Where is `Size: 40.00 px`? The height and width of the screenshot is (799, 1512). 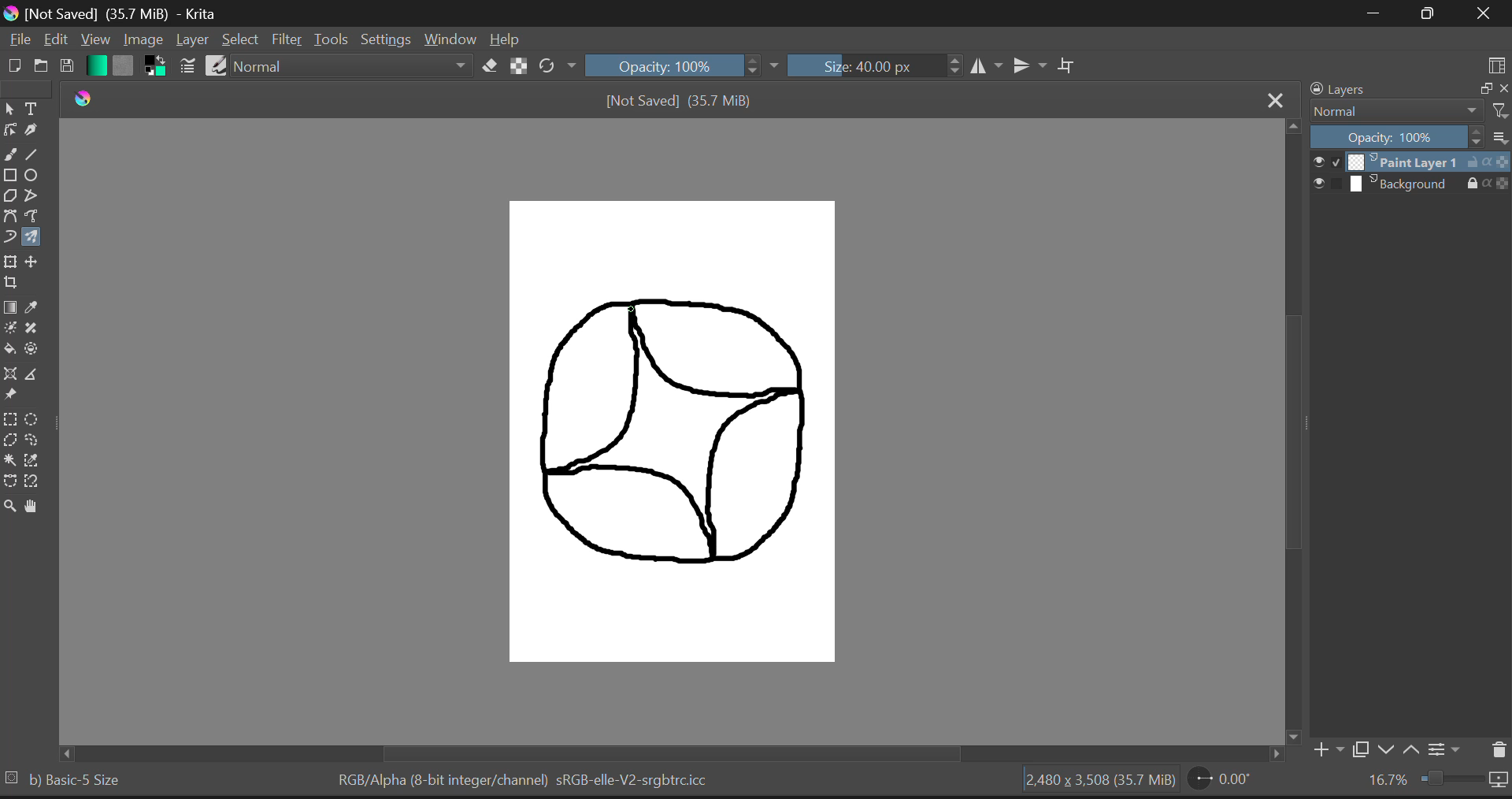 Size: 40.00 px is located at coordinates (876, 65).